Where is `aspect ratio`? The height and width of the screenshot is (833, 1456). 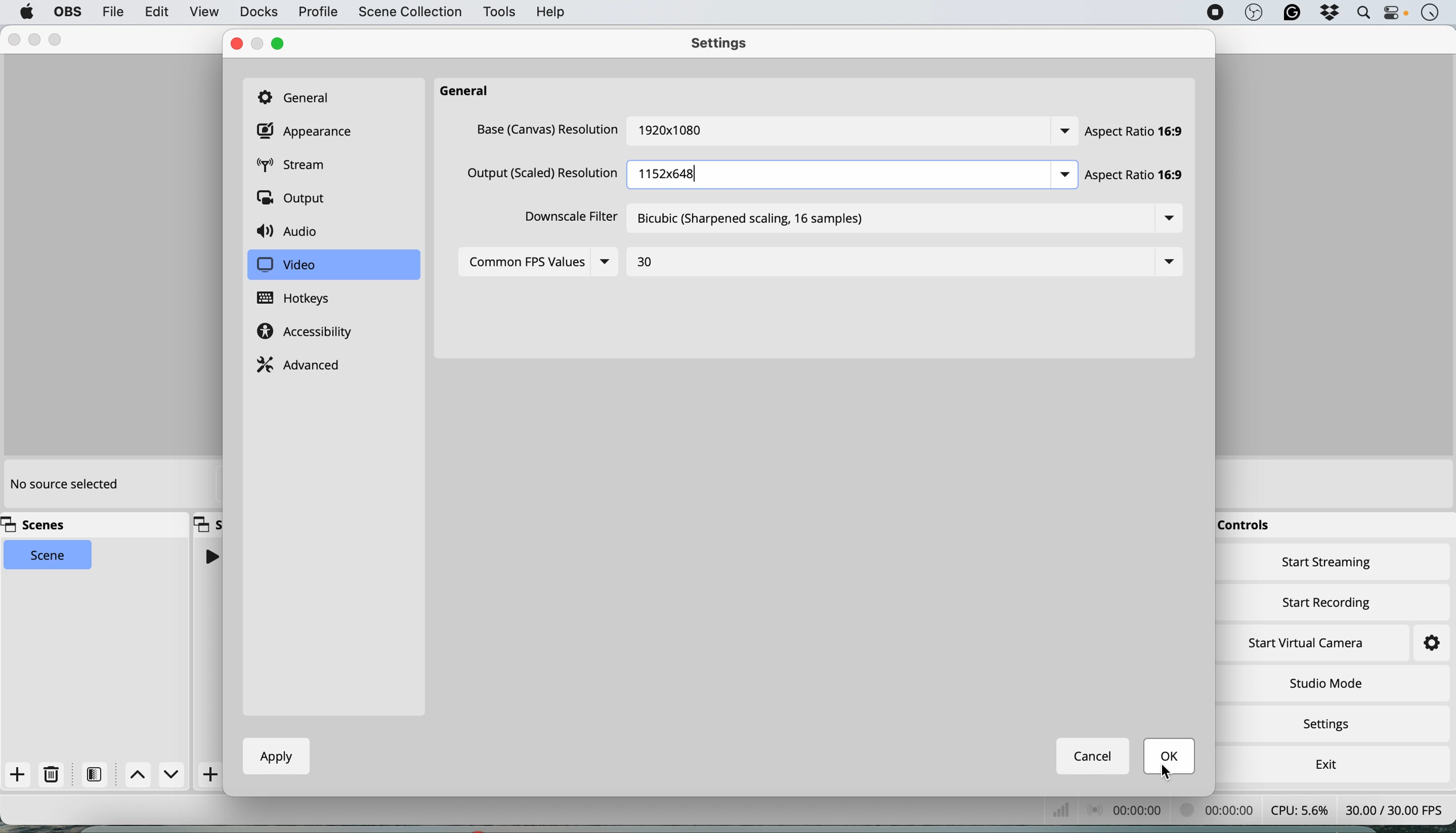
aspect ratio is located at coordinates (1135, 132).